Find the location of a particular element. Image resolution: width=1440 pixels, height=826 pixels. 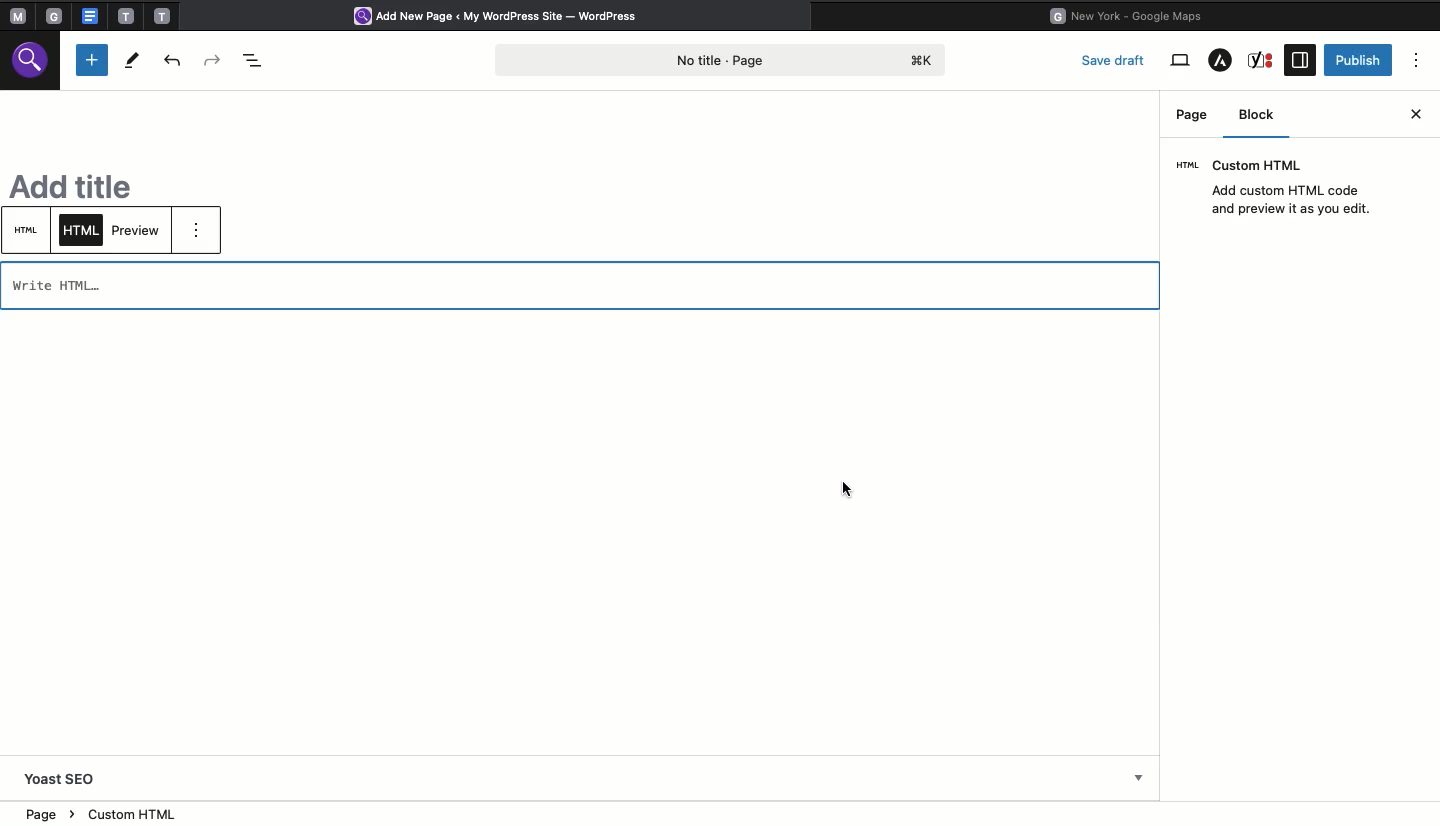

HTML is located at coordinates (29, 230).